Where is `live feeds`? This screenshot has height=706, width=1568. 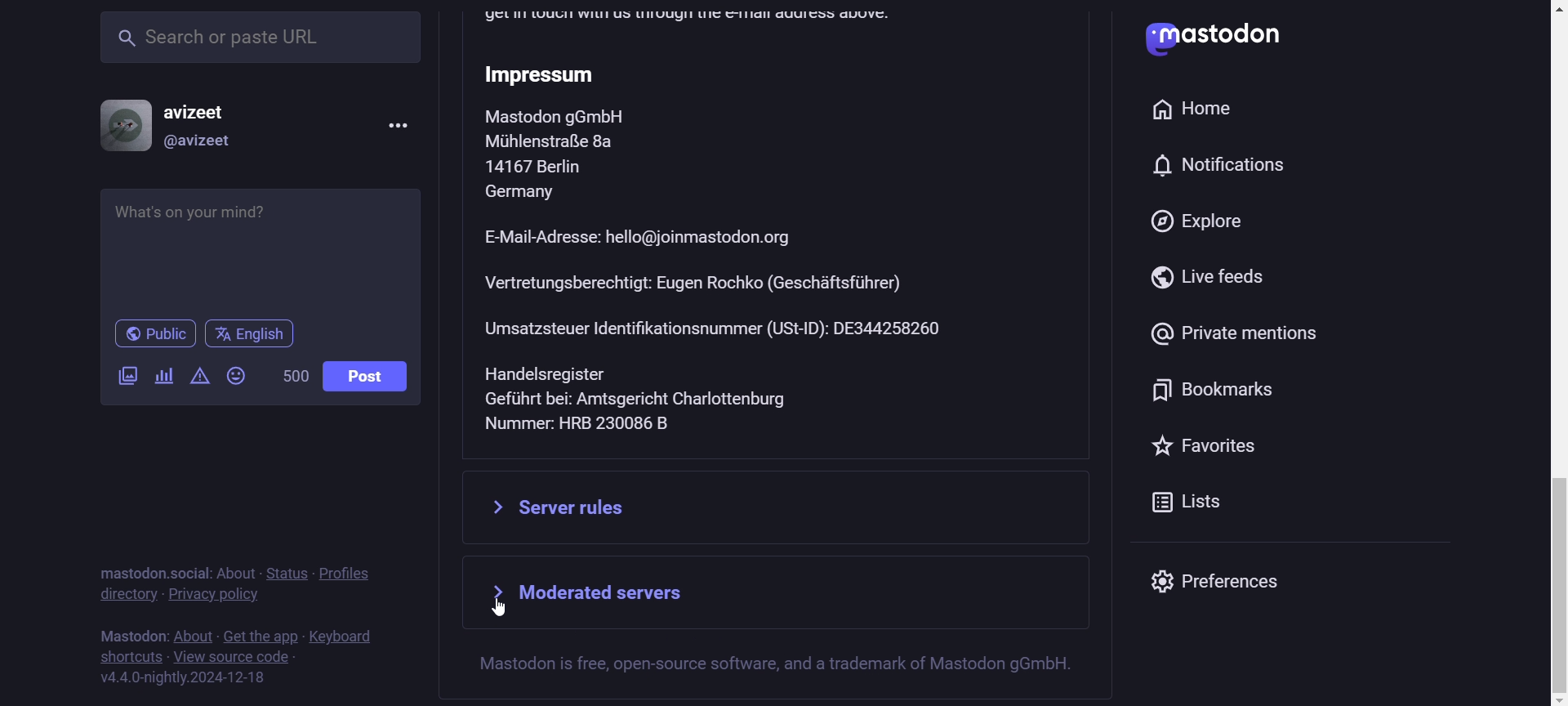 live feeds is located at coordinates (1205, 280).